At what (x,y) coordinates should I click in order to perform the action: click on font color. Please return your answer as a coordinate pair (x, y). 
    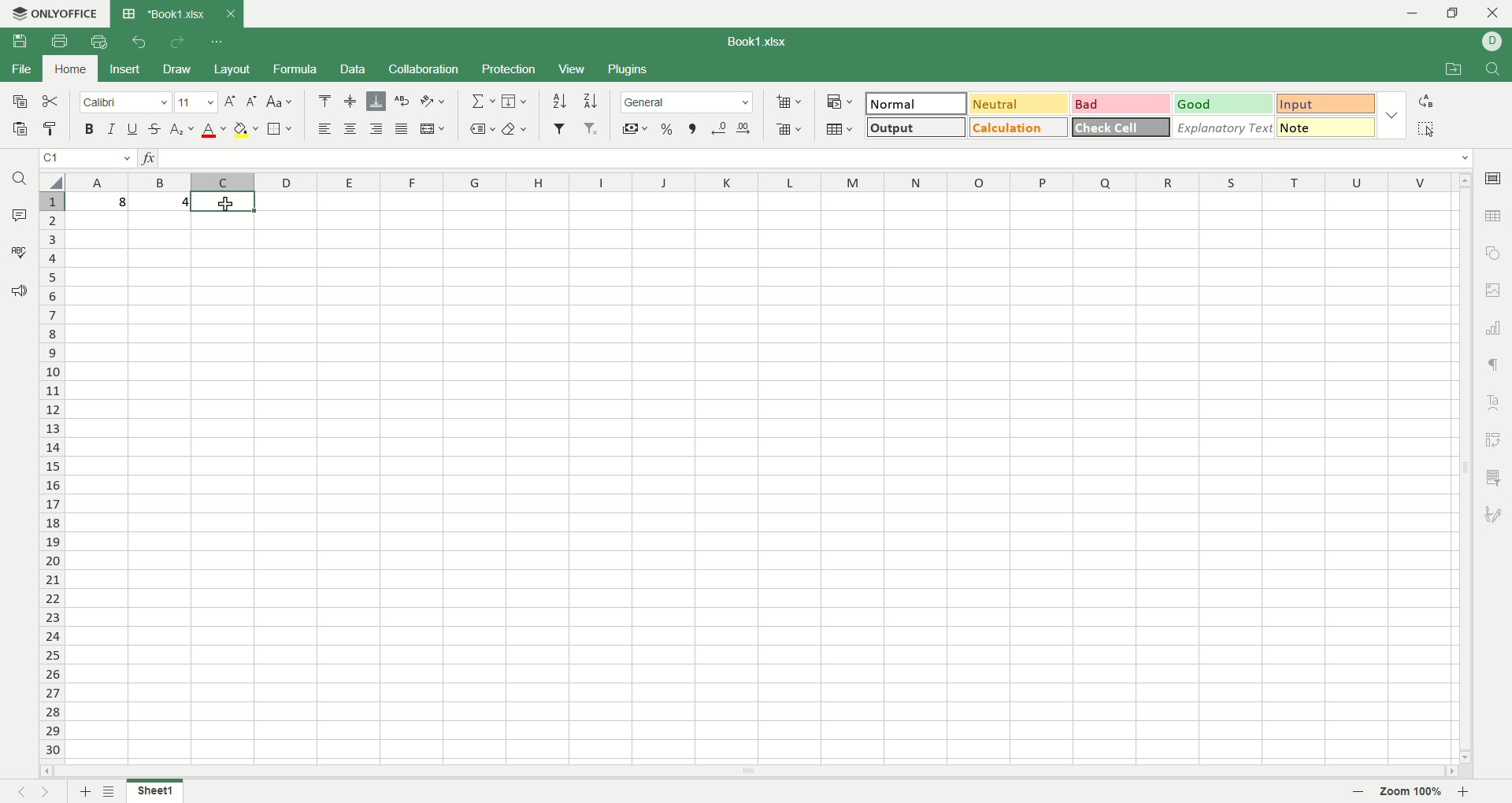
    Looking at the image, I should click on (214, 131).